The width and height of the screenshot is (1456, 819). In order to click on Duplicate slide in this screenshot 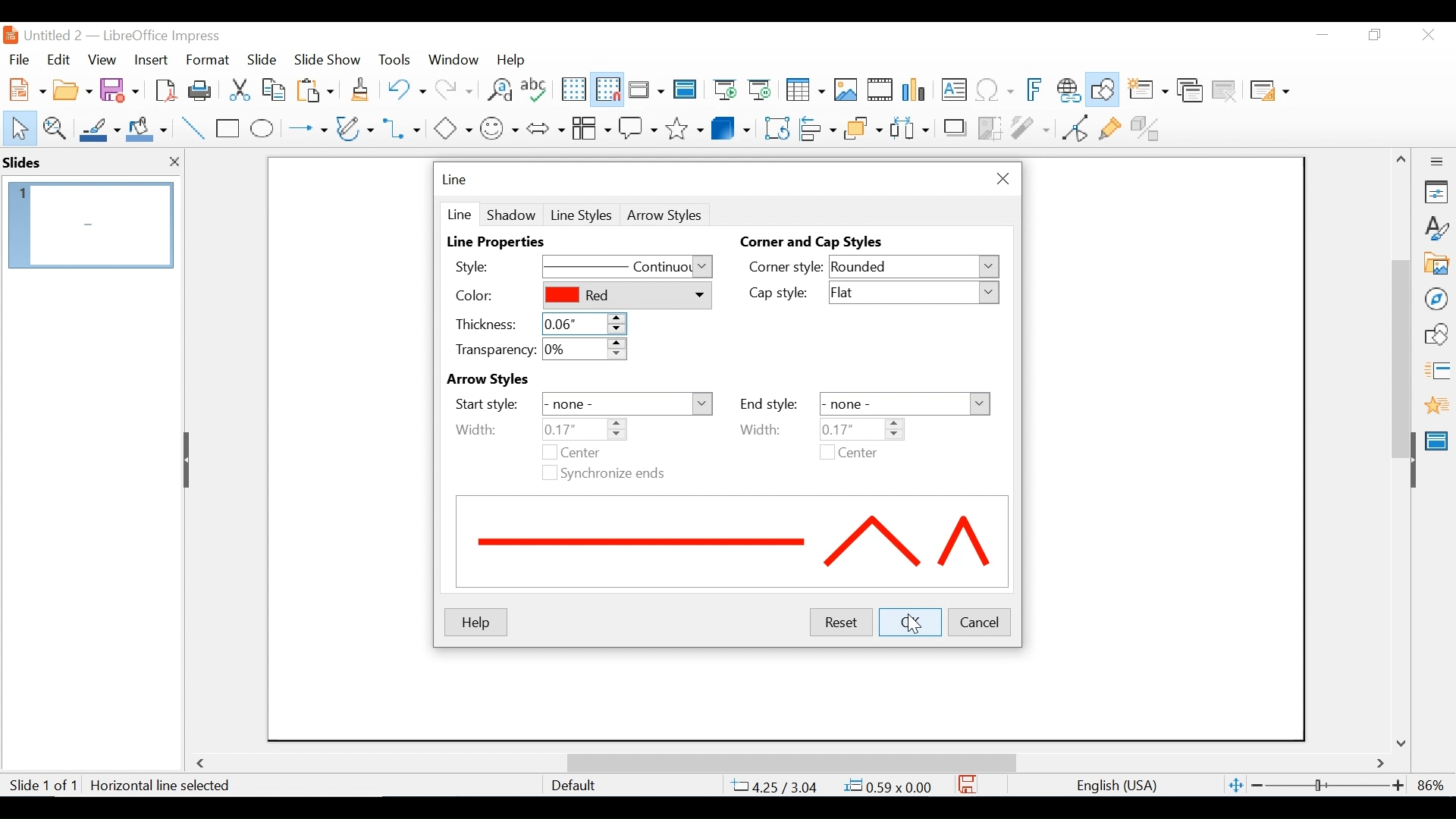, I will do `click(1190, 91)`.